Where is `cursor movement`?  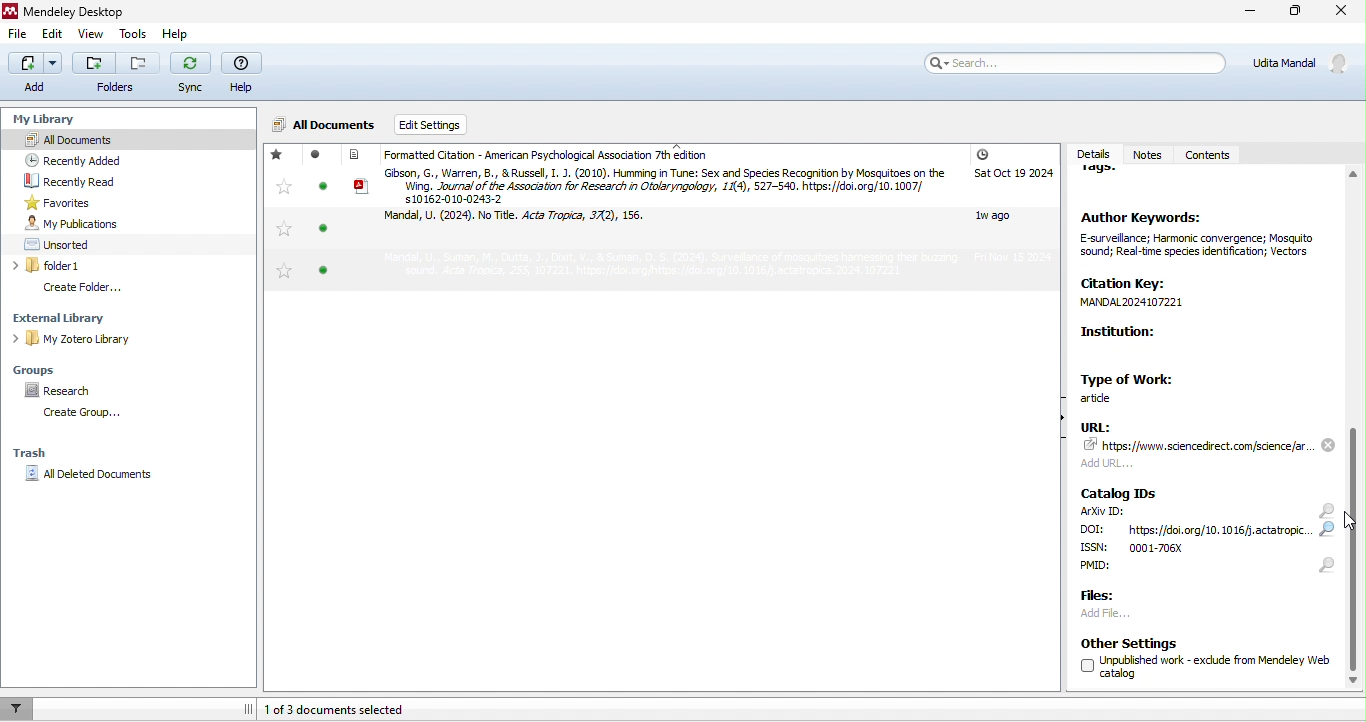 cursor movement is located at coordinates (1346, 520).